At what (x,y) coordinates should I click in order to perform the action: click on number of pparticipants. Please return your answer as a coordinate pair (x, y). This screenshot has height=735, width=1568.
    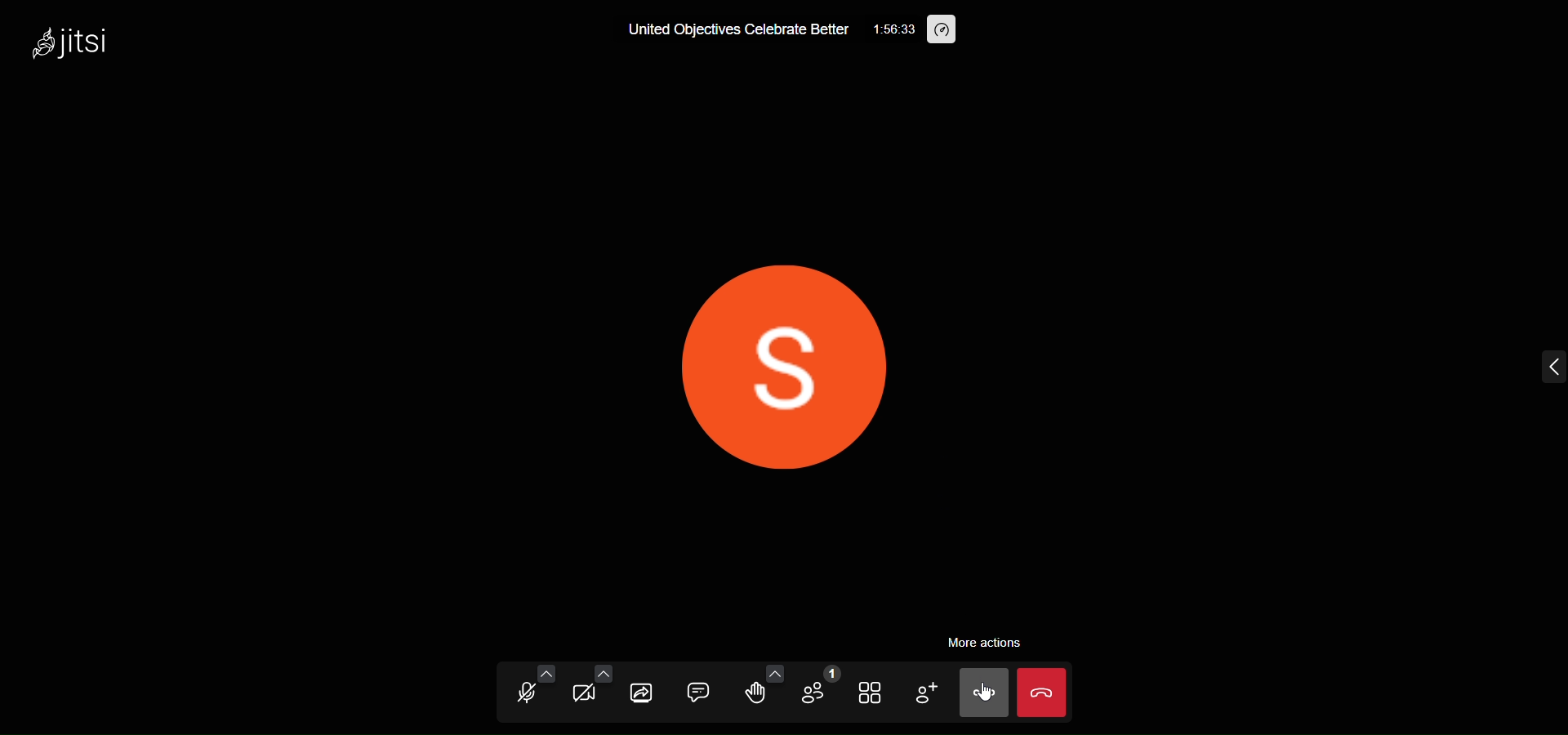
    Looking at the image, I should click on (817, 690).